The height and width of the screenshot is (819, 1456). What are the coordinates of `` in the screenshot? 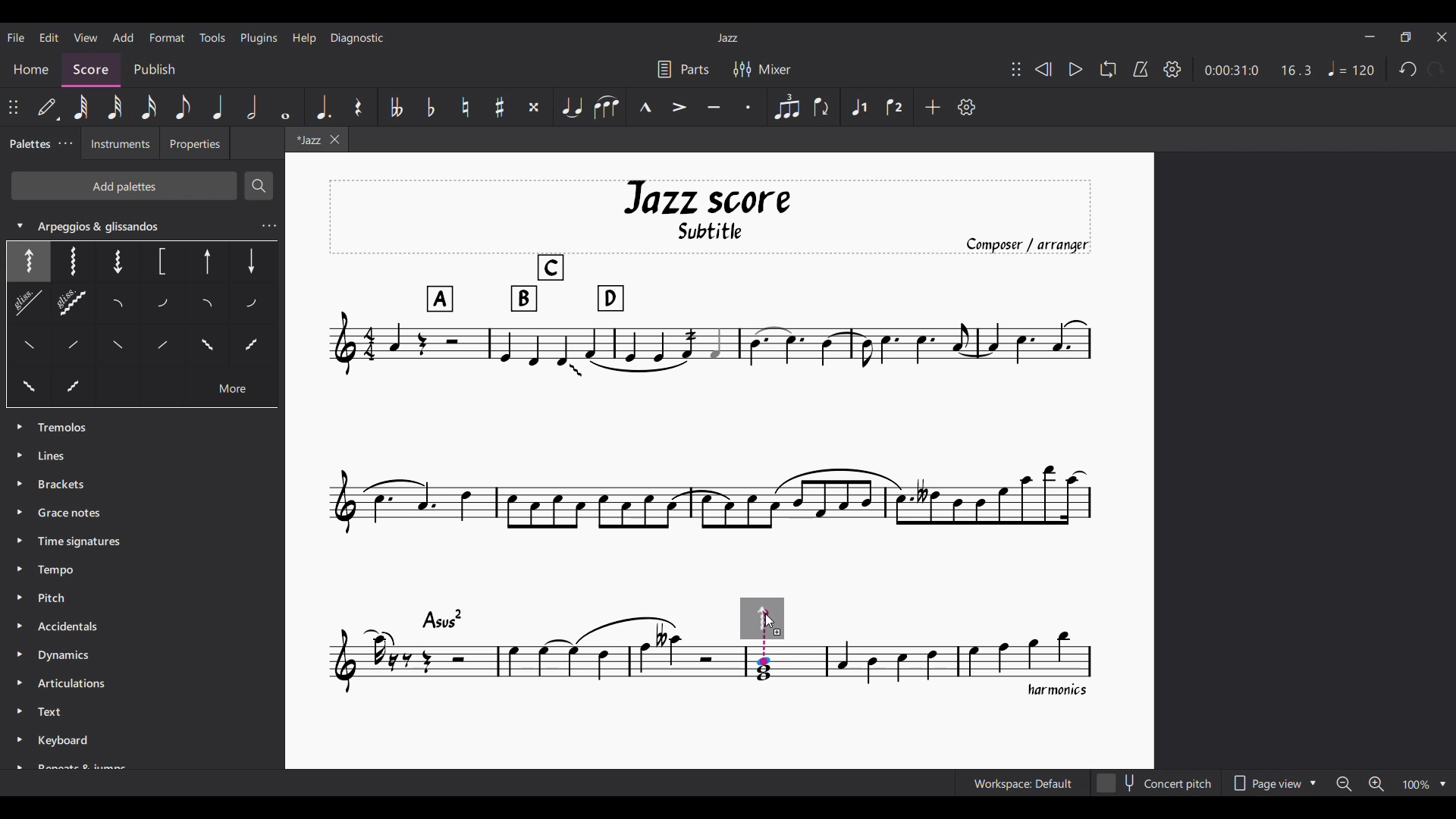 It's located at (22, 304).